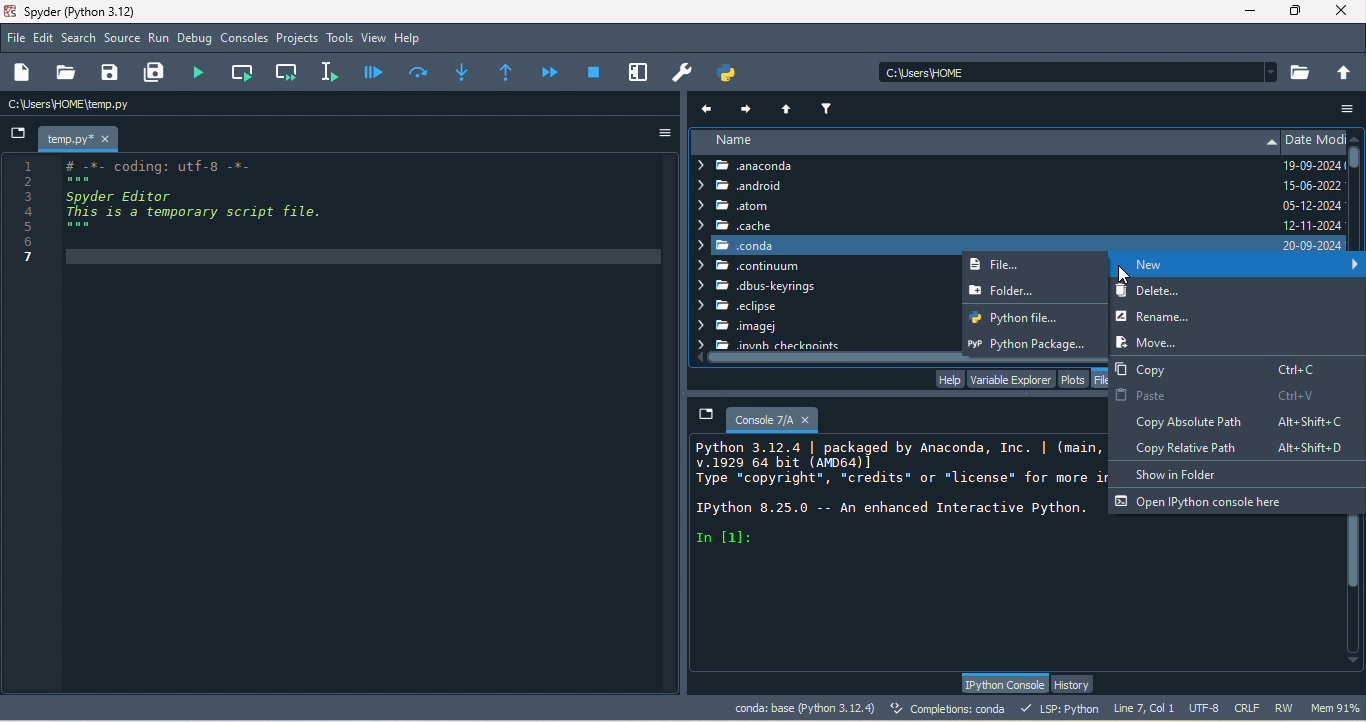 Image resolution: width=1366 pixels, height=722 pixels. What do you see at coordinates (762, 417) in the screenshot?
I see `console 7/a` at bounding box center [762, 417].